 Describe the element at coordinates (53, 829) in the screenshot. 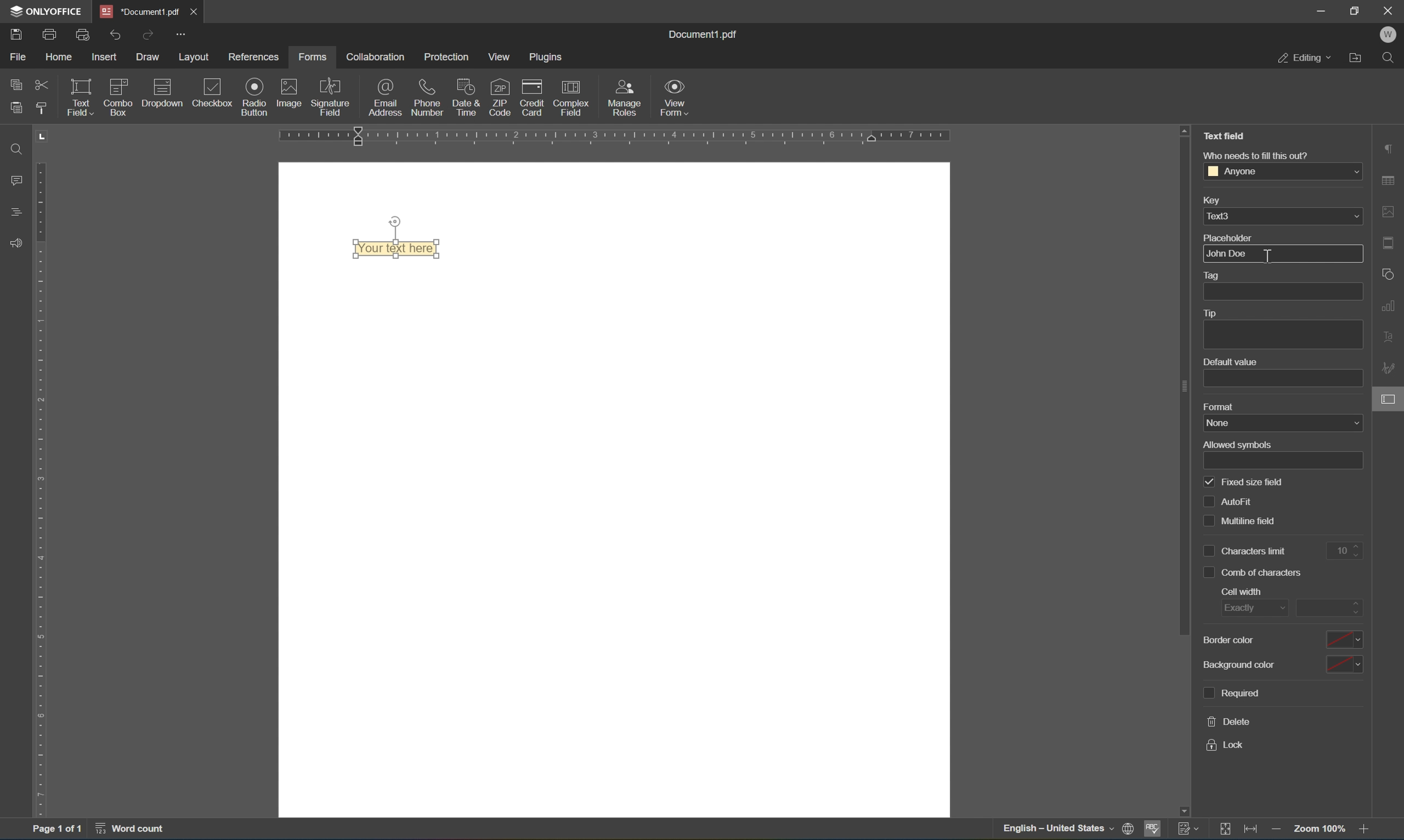

I see `page 1 of 1` at that location.